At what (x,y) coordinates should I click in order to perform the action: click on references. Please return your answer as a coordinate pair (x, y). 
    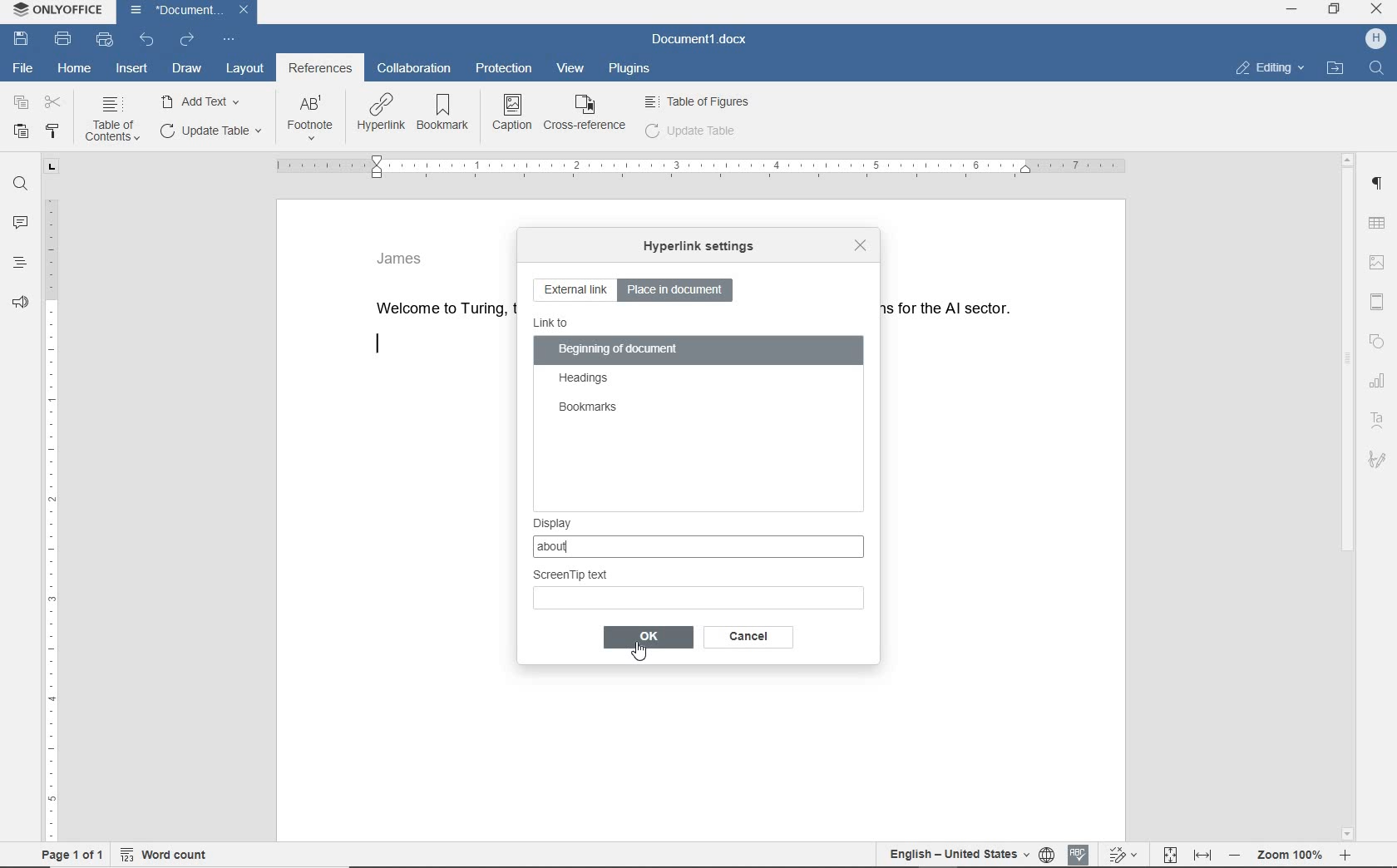
    Looking at the image, I should click on (320, 70).